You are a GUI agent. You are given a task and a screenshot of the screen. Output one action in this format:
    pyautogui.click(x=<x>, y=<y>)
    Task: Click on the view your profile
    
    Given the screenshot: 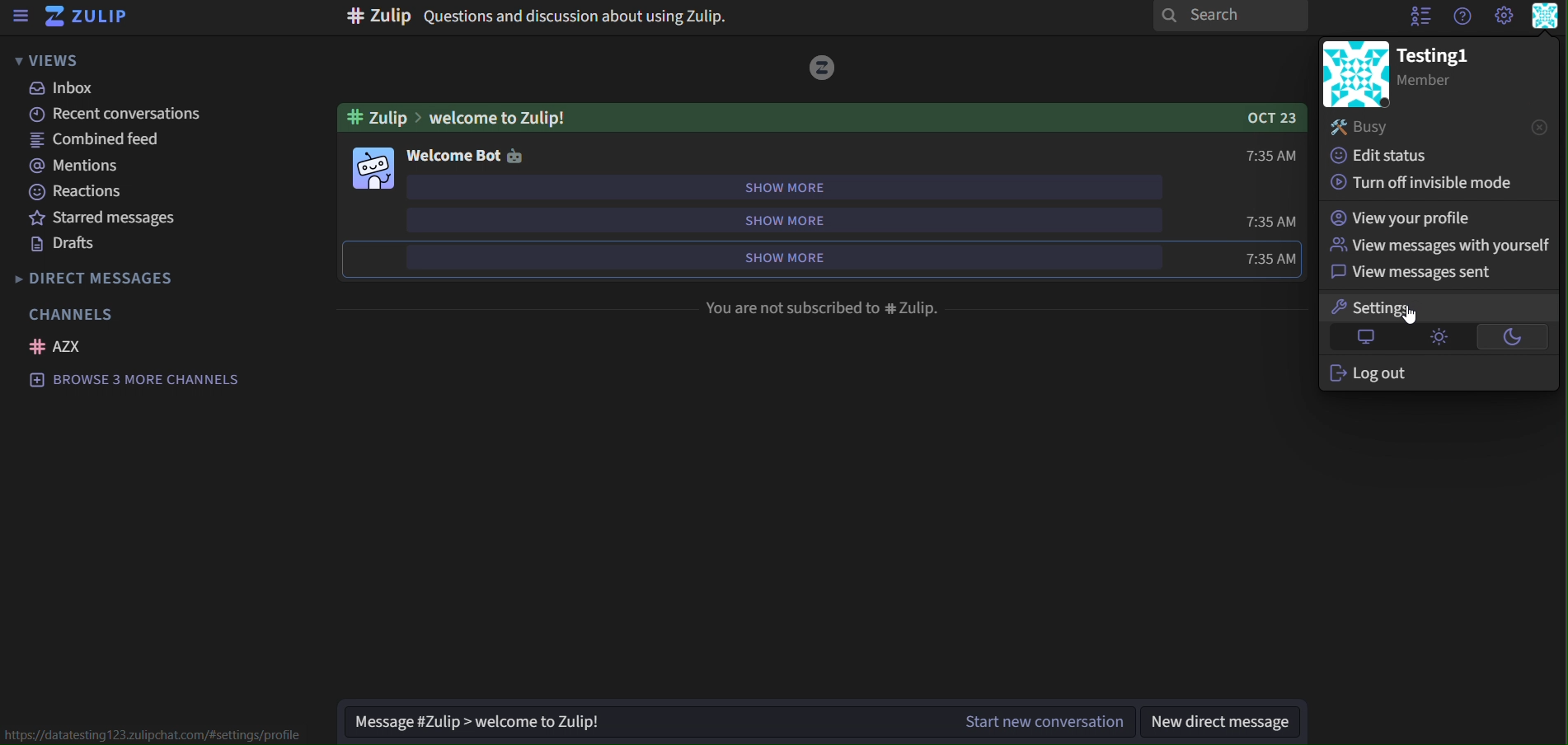 What is the action you would take?
    pyautogui.click(x=1403, y=218)
    